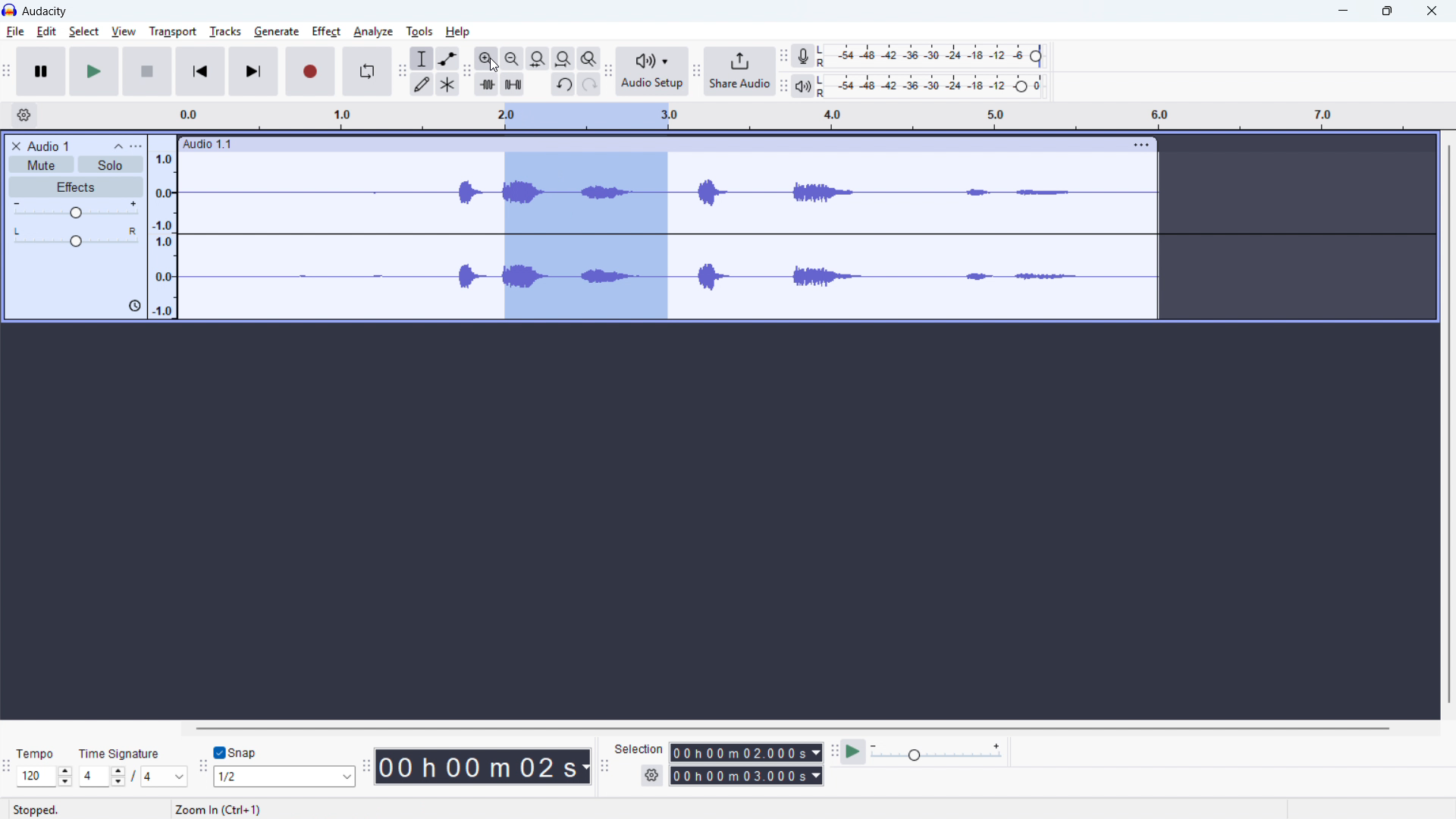 This screenshot has width=1456, height=819. What do you see at coordinates (299, 810) in the screenshot?
I see `Zoom In (Ctrl+1)` at bounding box center [299, 810].